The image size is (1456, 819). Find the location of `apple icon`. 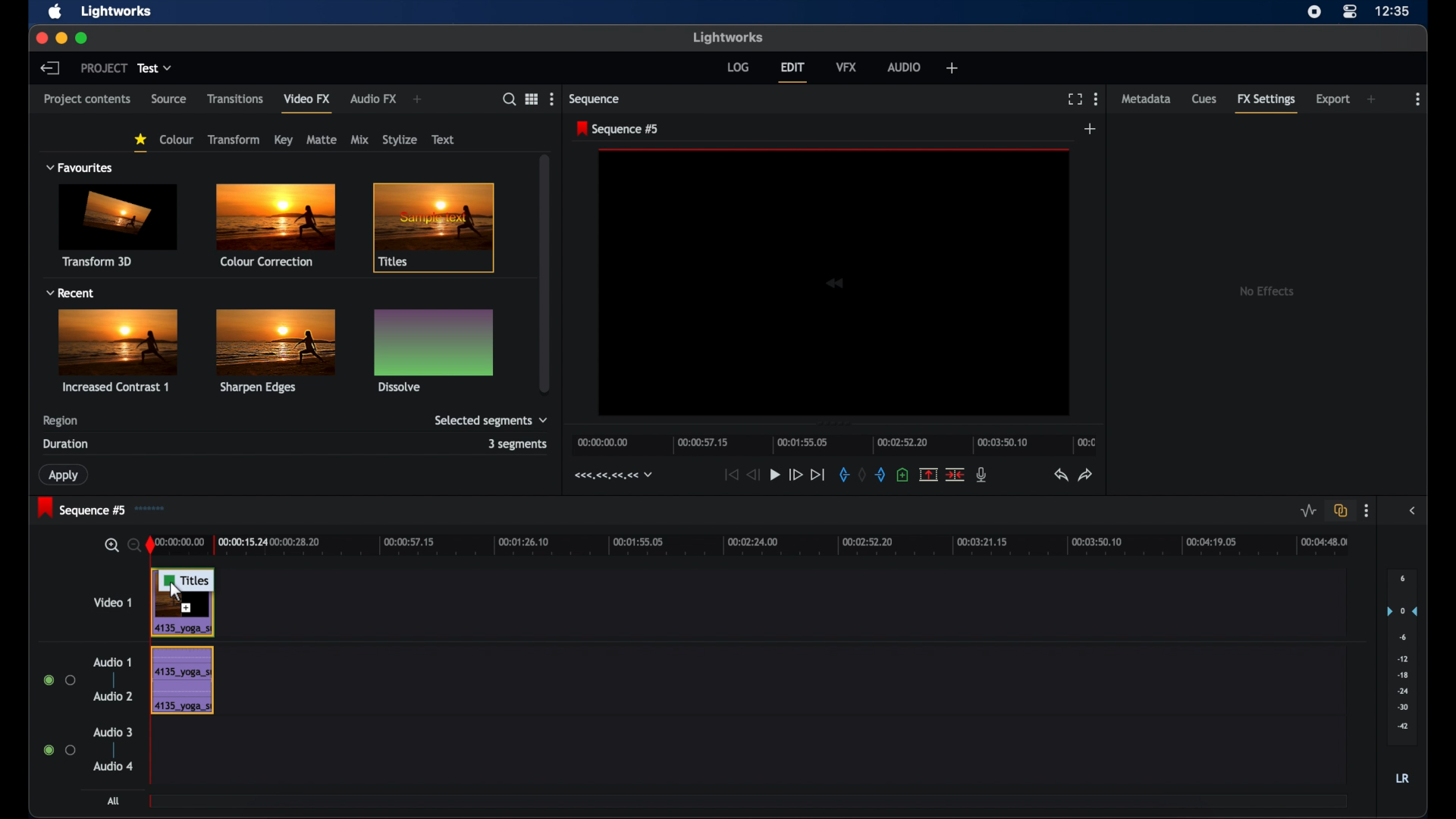

apple icon is located at coordinates (55, 12).